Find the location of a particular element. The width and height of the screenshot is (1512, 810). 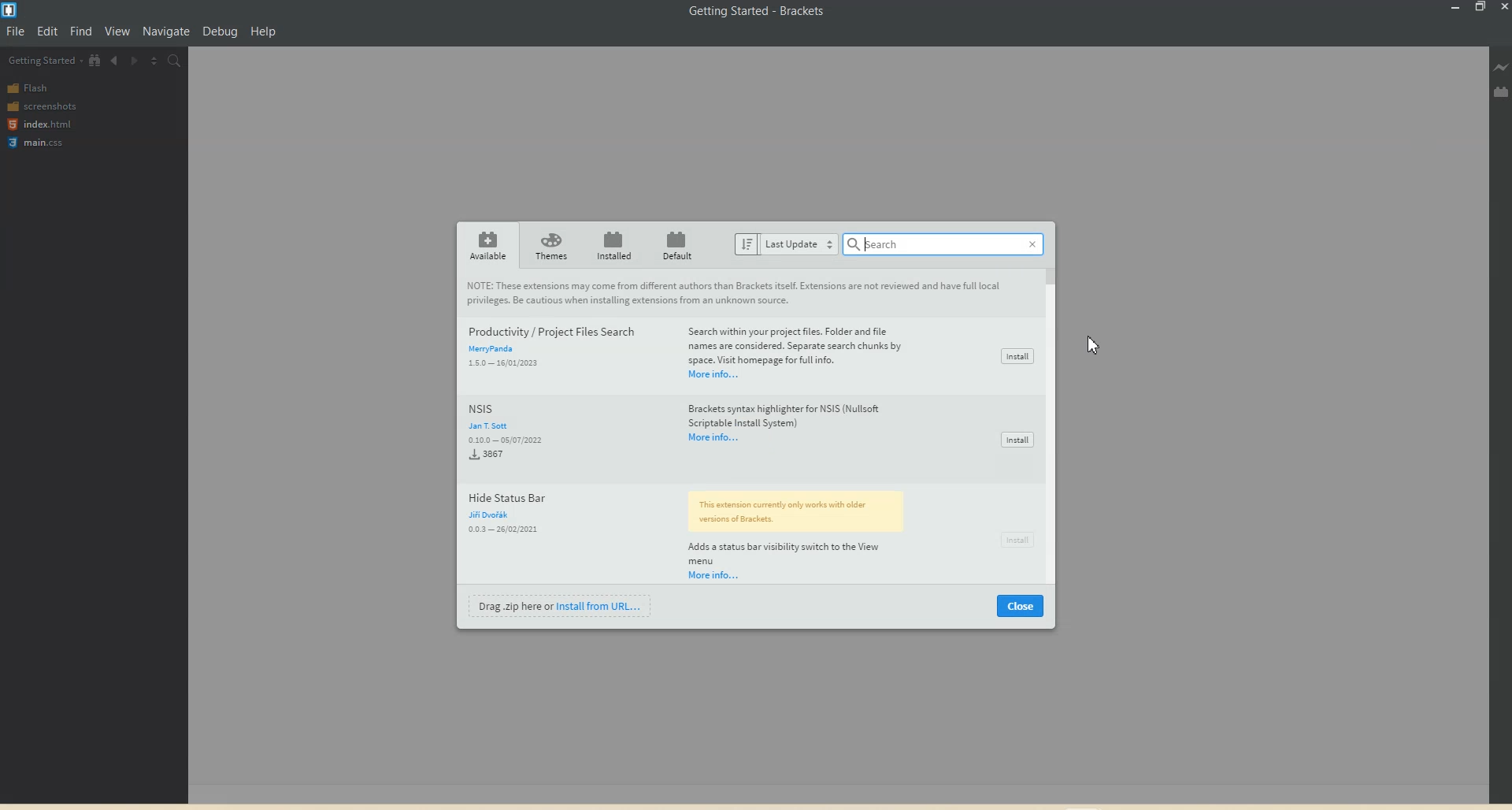

Install is located at coordinates (1017, 540).